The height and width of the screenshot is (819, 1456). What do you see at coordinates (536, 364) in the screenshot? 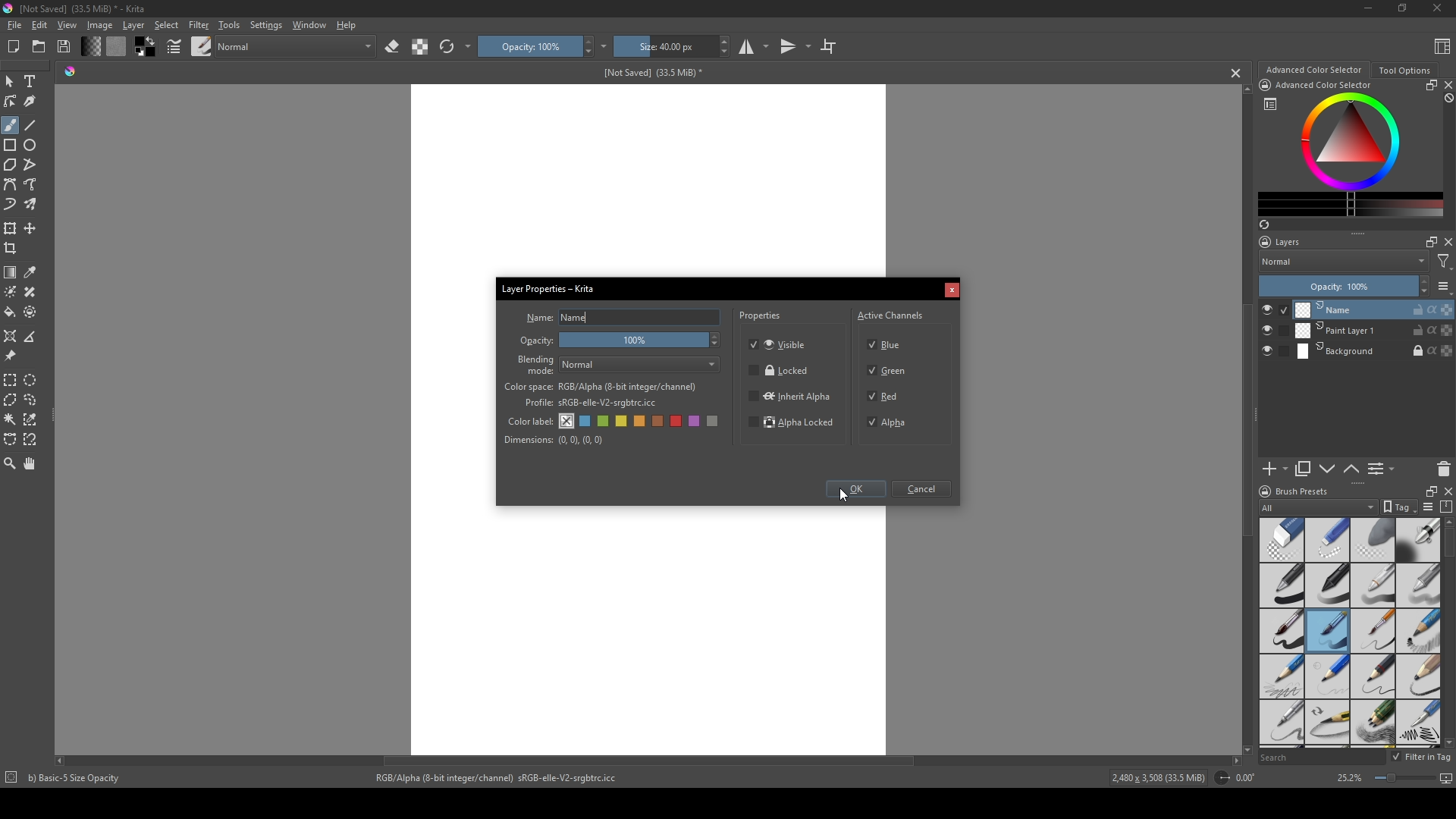
I see `Blending mode - normal` at bounding box center [536, 364].